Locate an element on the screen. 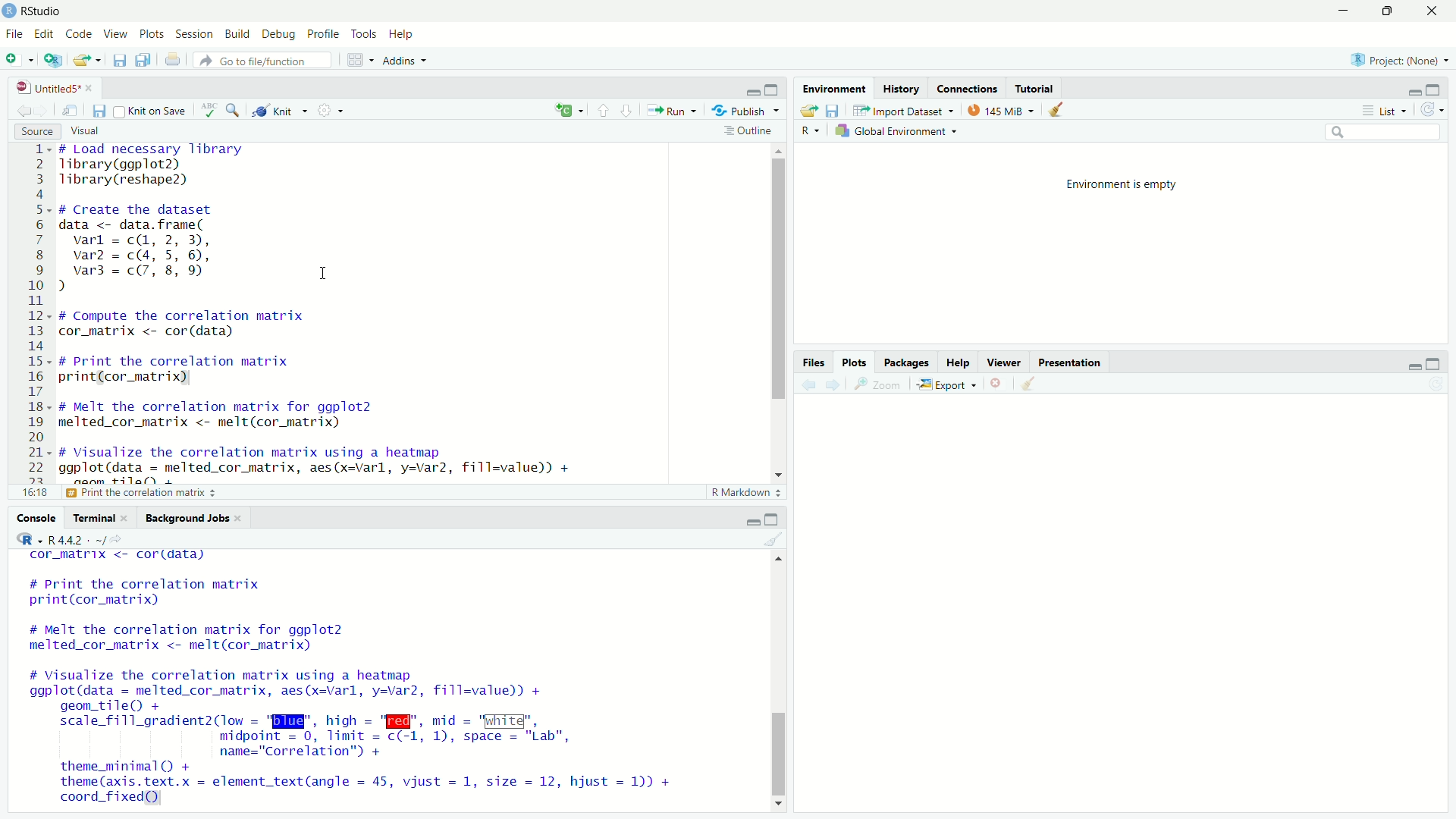  r language R4.4.2 is located at coordinates (86, 539).